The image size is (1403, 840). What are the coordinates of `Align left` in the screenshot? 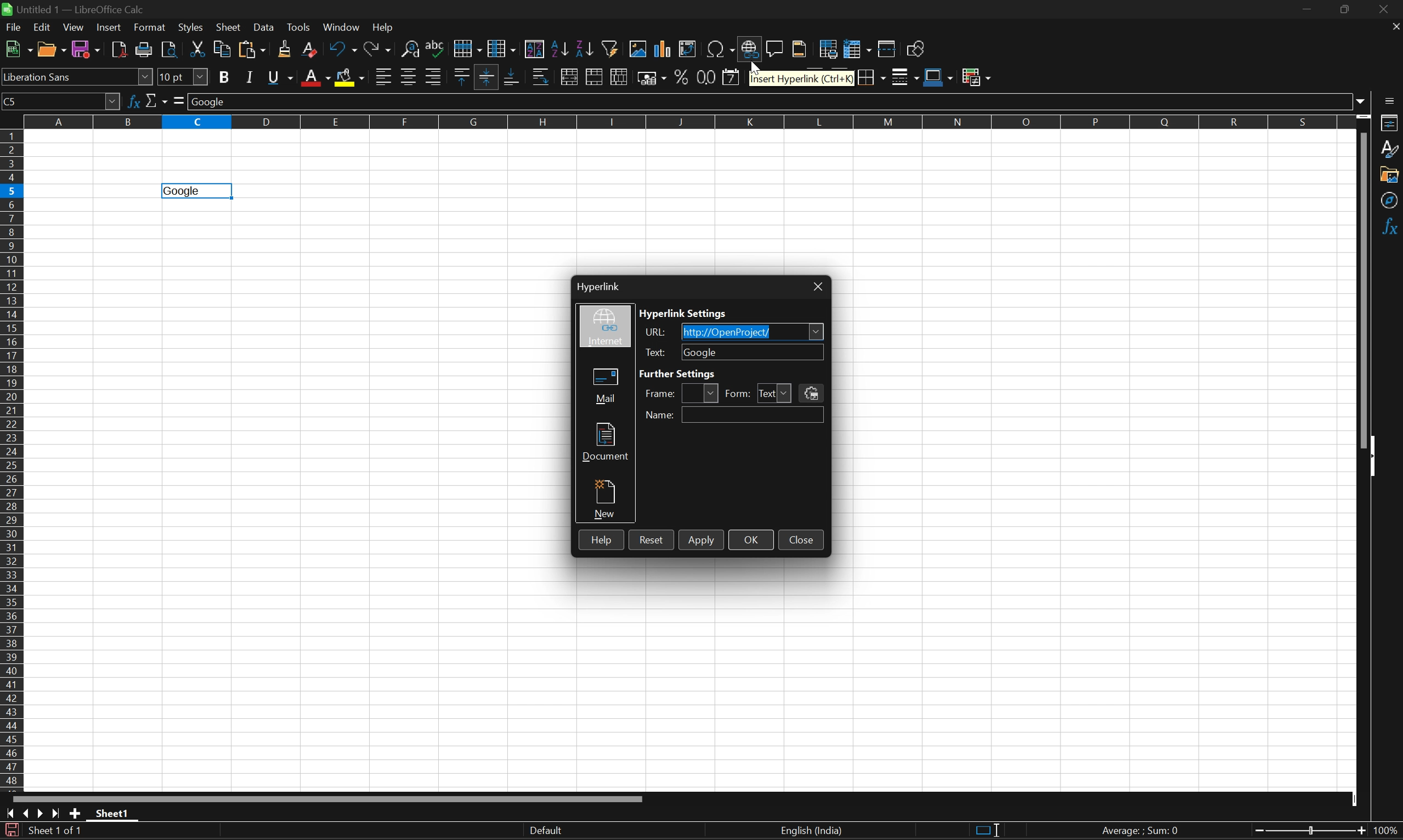 It's located at (383, 78).